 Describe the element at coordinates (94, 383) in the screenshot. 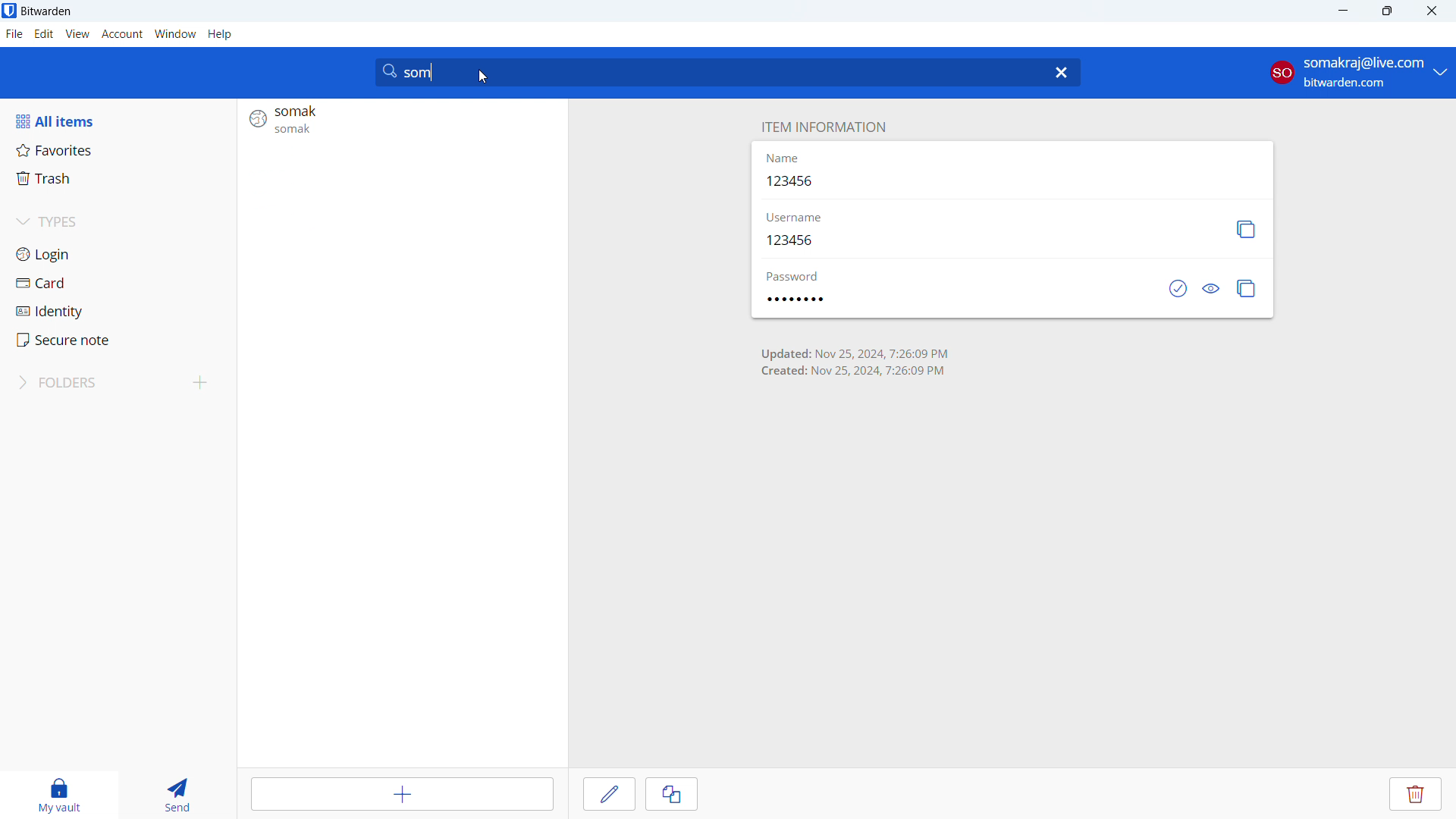

I see `folders` at that location.